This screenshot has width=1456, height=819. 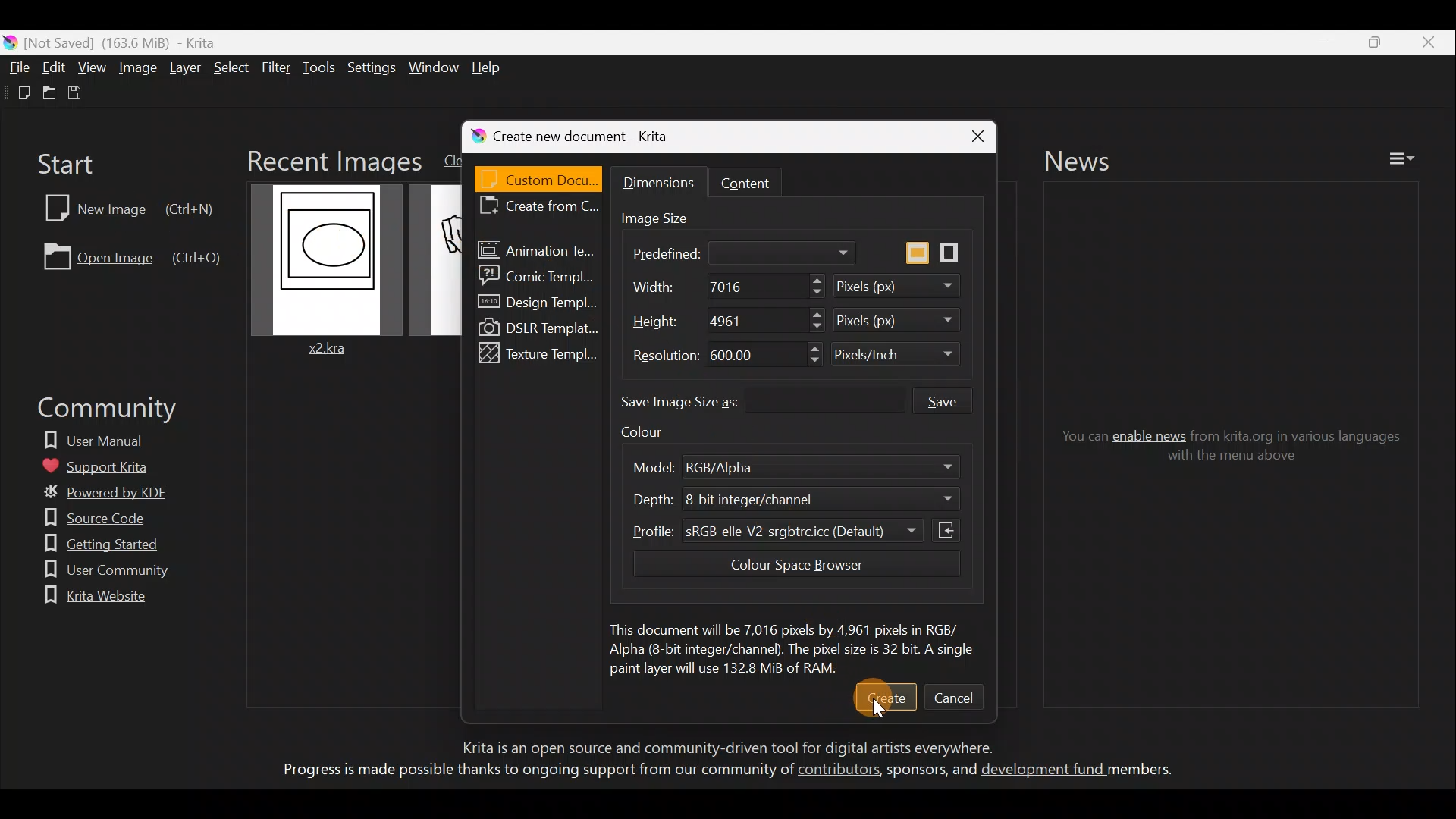 What do you see at coordinates (536, 326) in the screenshot?
I see `DSLR templates` at bounding box center [536, 326].